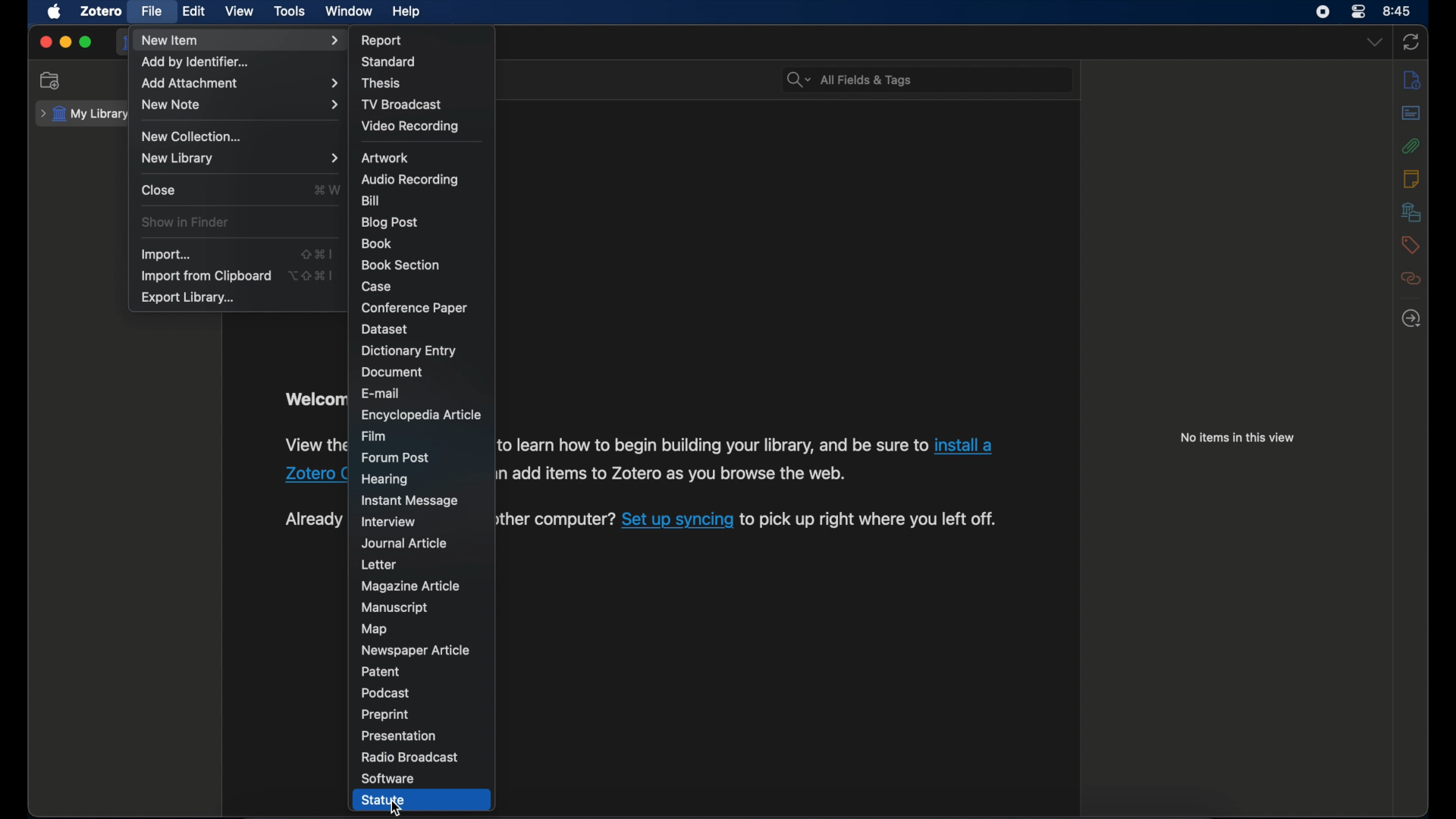 The height and width of the screenshot is (819, 1456). I want to click on import, so click(165, 255).